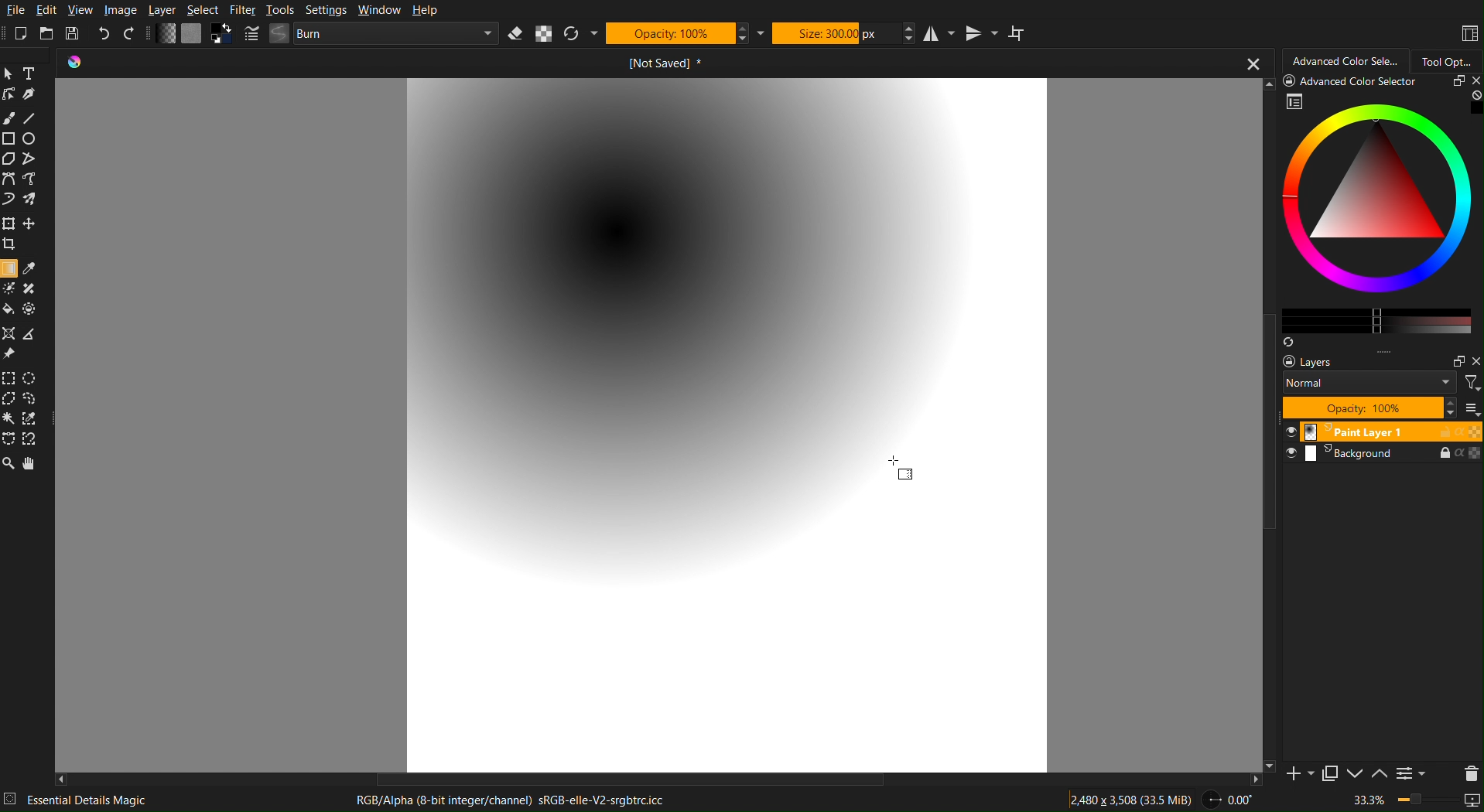 This screenshot has width=1484, height=812. What do you see at coordinates (9, 118) in the screenshot?
I see `Brush` at bounding box center [9, 118].